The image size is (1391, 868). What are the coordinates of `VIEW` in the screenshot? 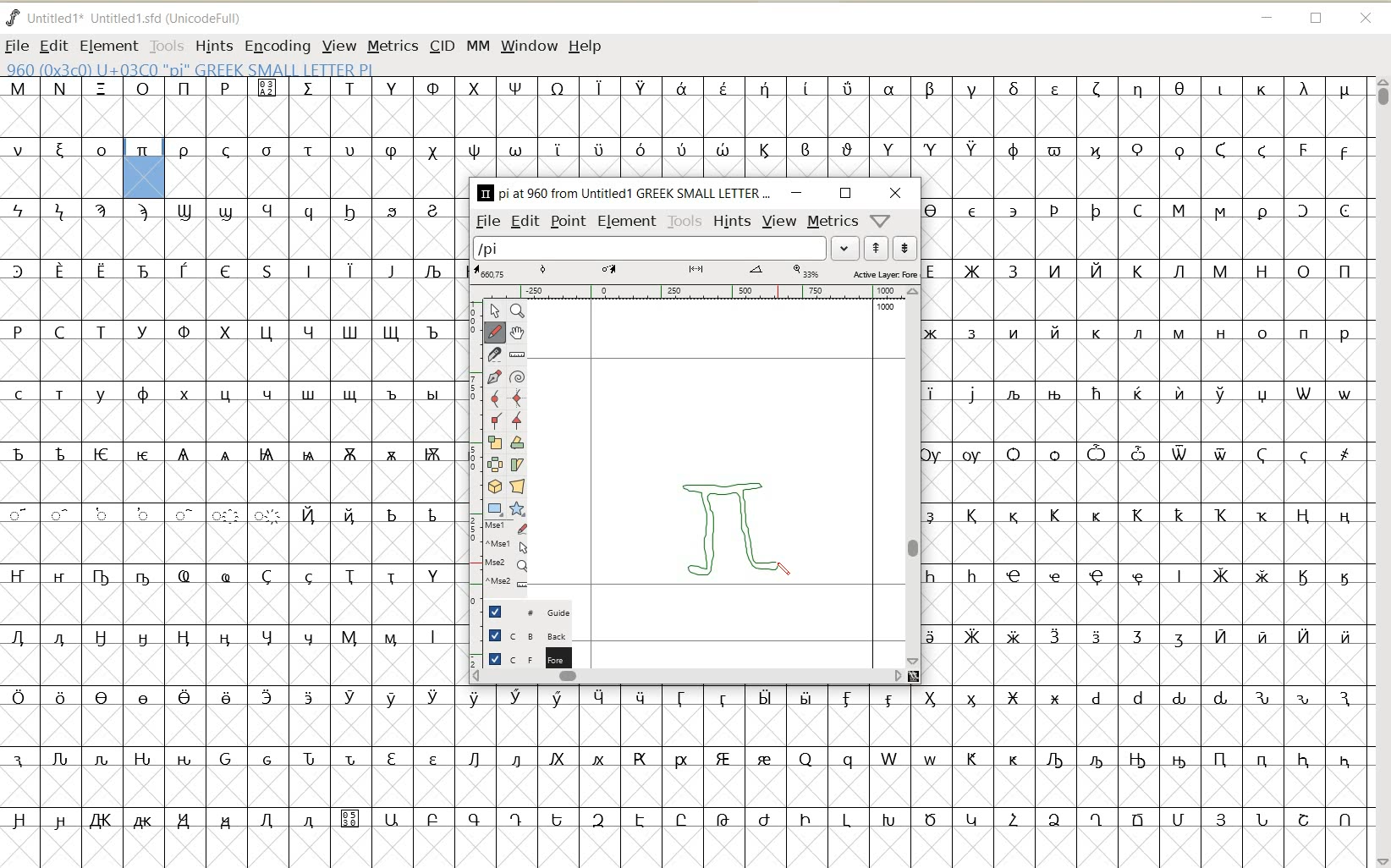 It's located at (779, 222).